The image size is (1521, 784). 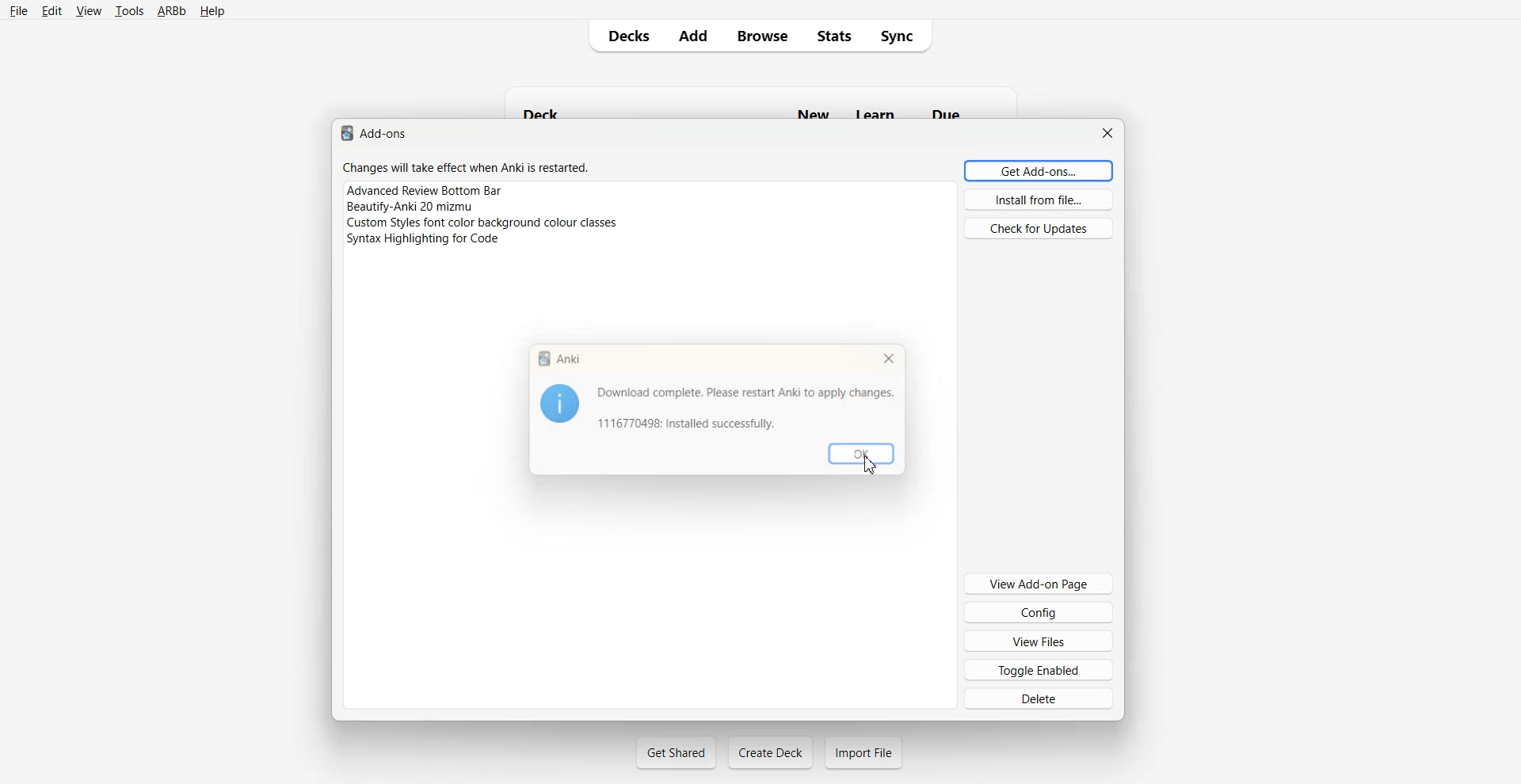 I want to click on Beautifv-Anki 20 mizmu, so click(x=646, y=206).